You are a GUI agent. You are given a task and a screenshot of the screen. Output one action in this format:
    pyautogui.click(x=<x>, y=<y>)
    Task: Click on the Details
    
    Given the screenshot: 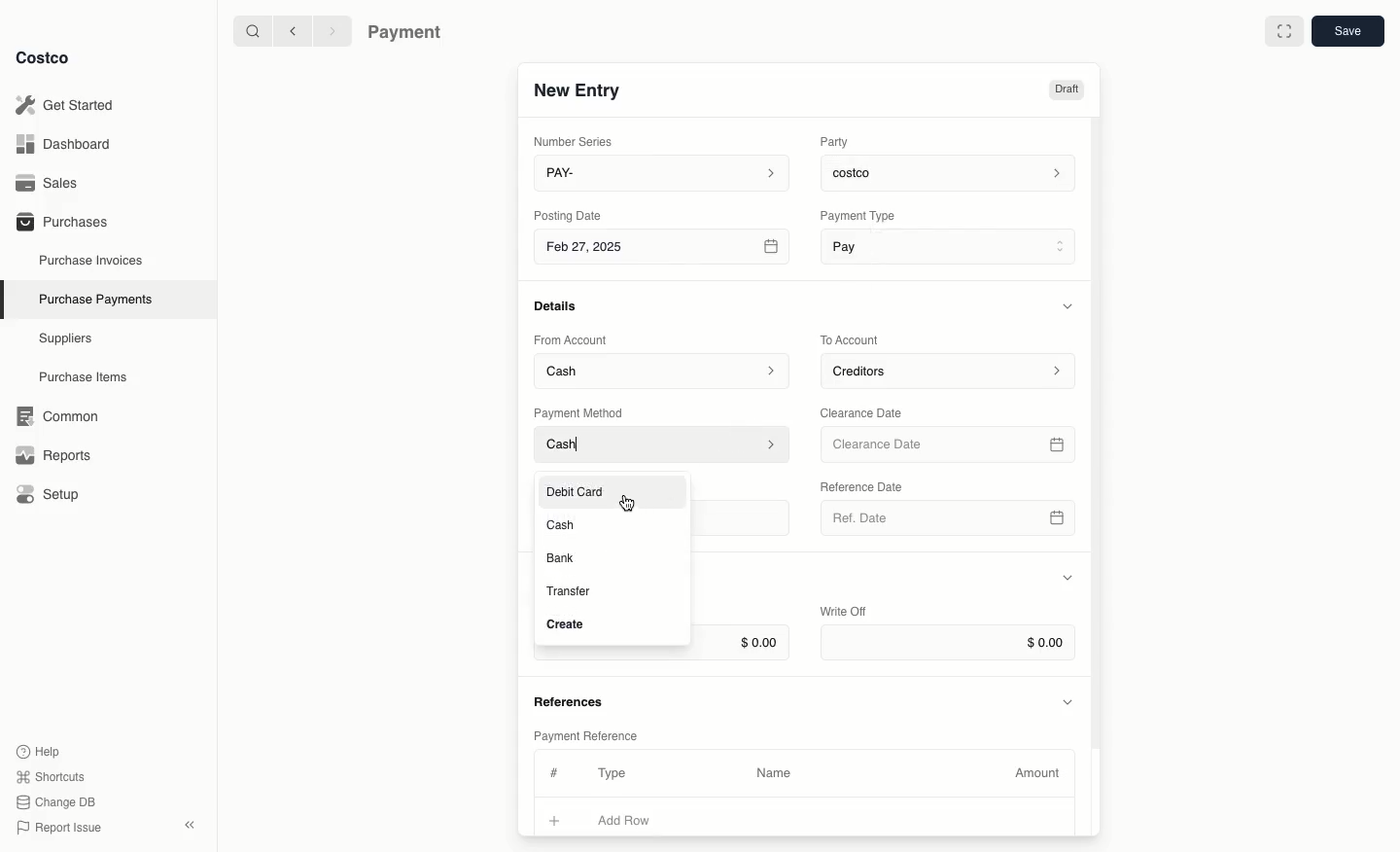 What is the action you would take?
    pyautogui.click(x=561, y=305)
    